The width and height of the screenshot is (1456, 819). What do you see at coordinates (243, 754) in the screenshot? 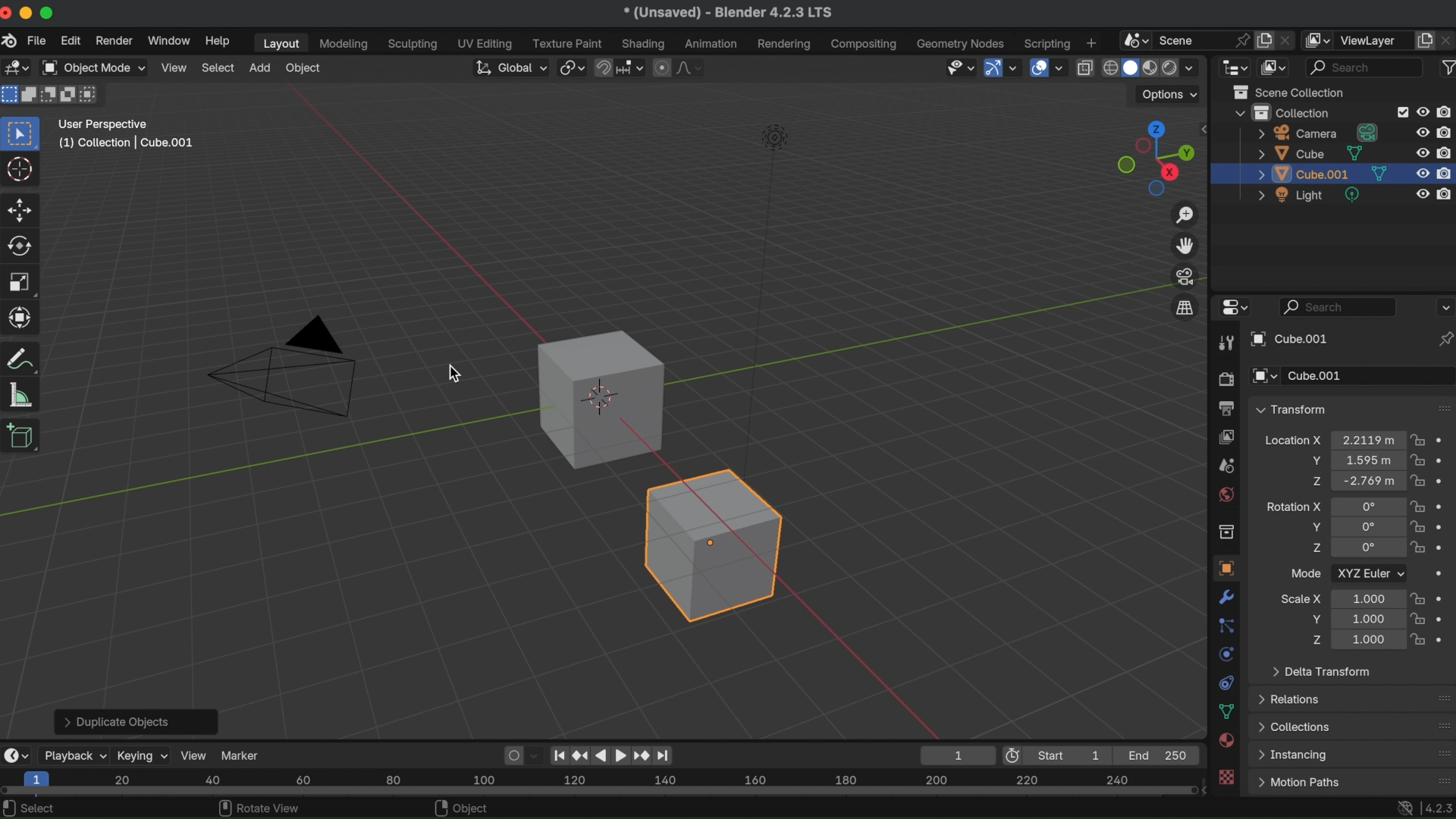
I see `marker` at bounding box center [243, 754].